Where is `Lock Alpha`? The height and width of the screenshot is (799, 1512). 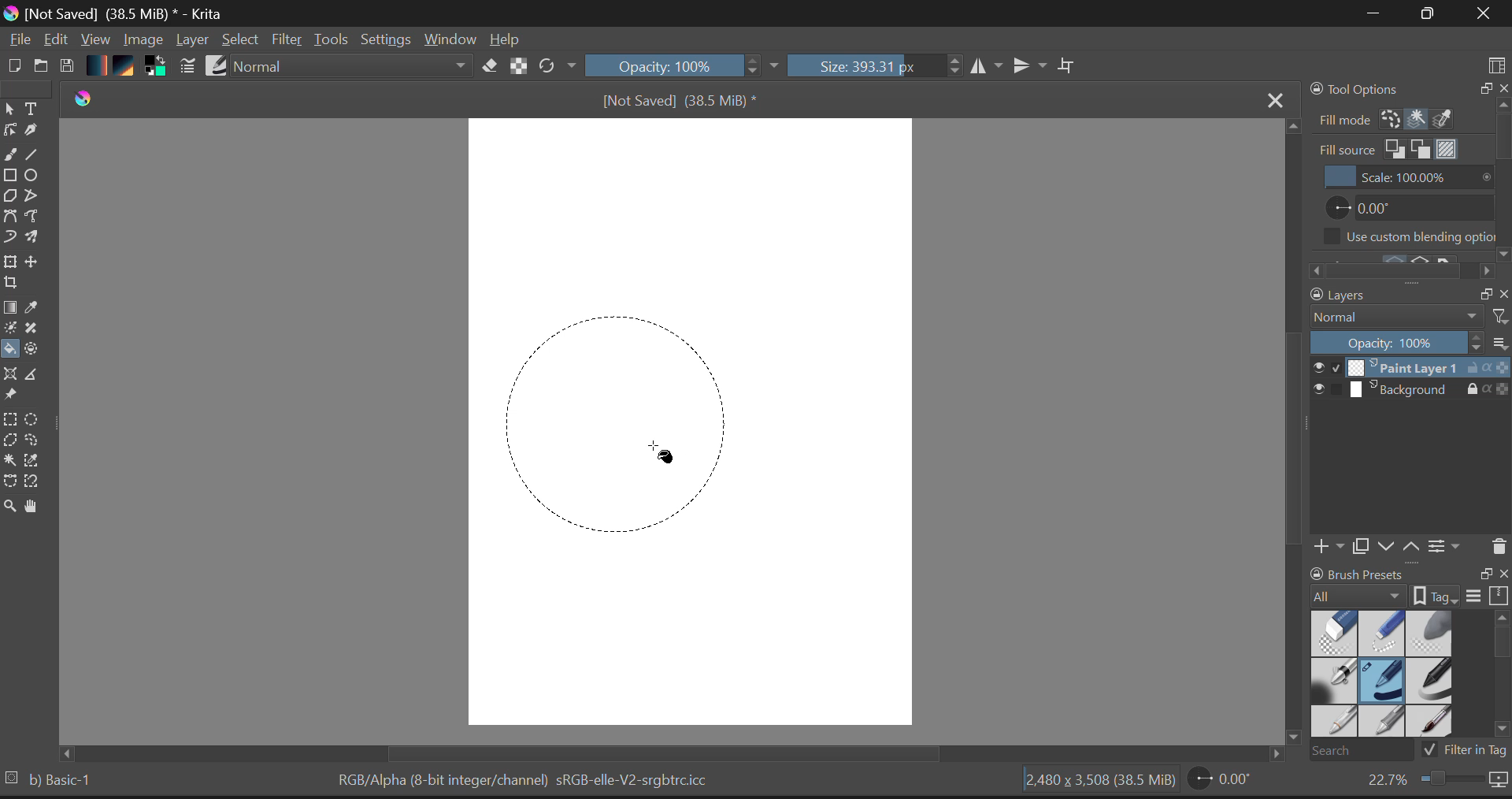 Lock Alpha is located at coordinates (516, 67).